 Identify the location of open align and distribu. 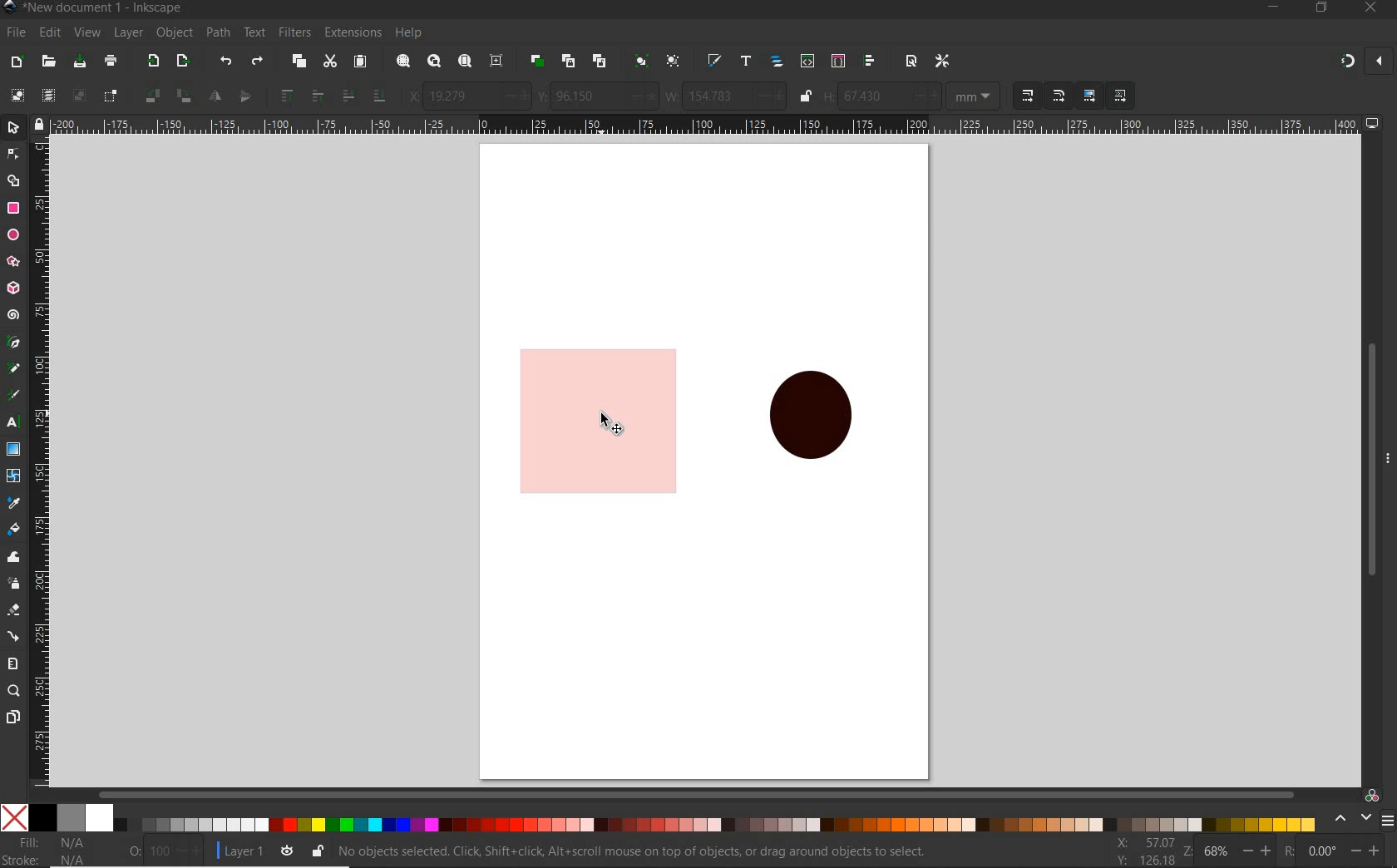
(869, 62).